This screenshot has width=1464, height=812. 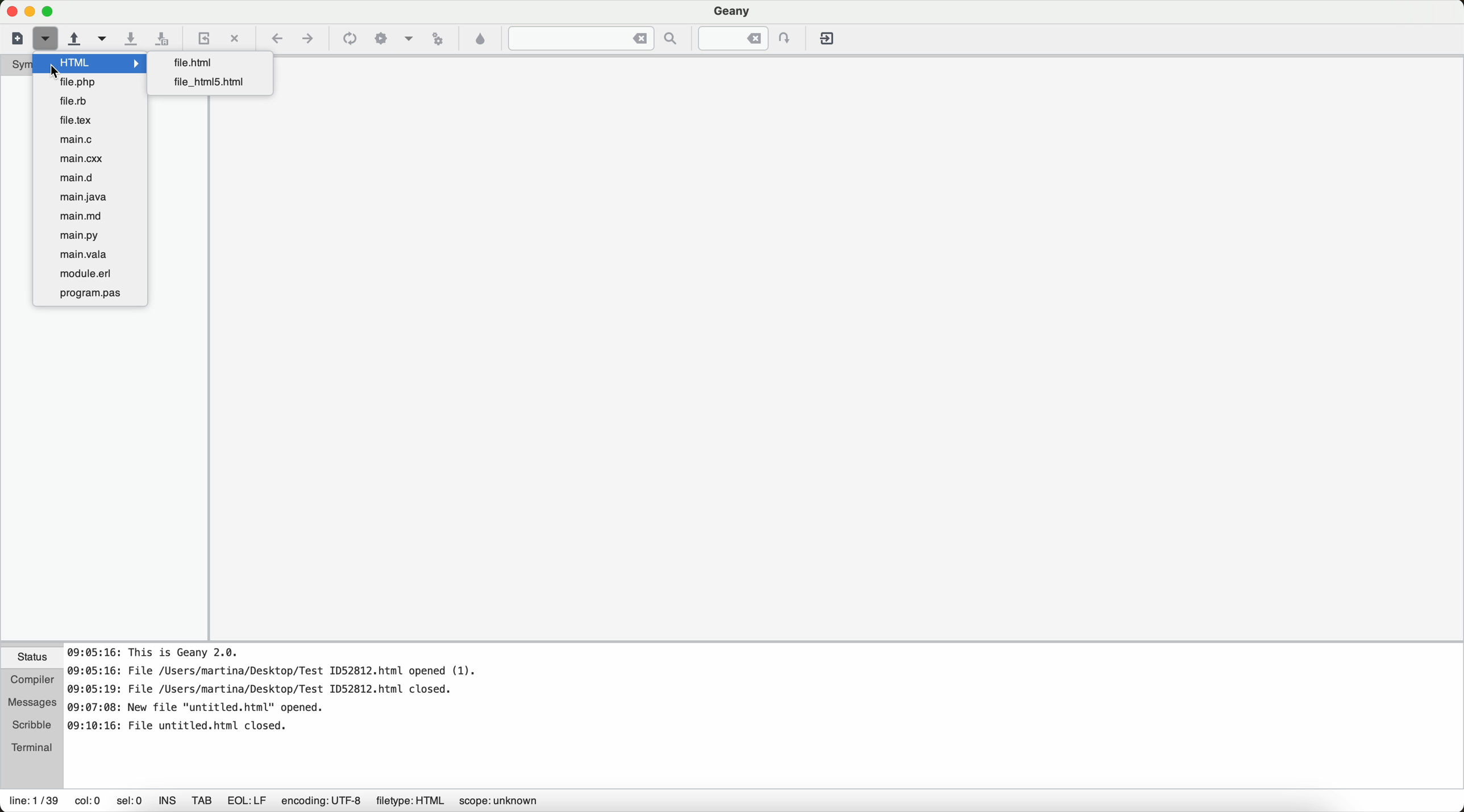 I want to click on color, so click(x=479, y=38).